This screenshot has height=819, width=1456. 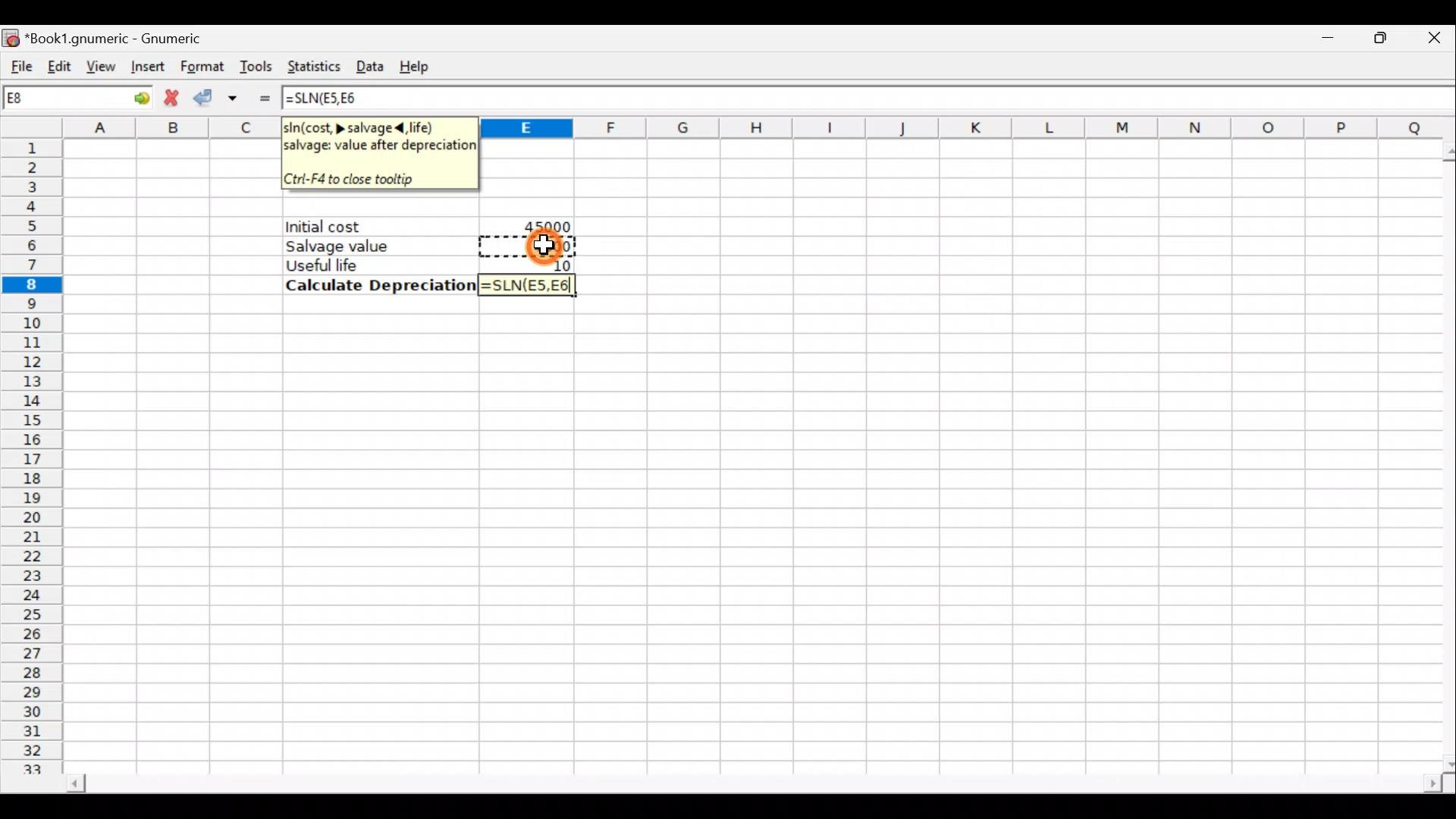 What do you see at coordinates (561, 244) in the screenshot?
I see `Cursor on cell E6` at bounding box center [561, 244].